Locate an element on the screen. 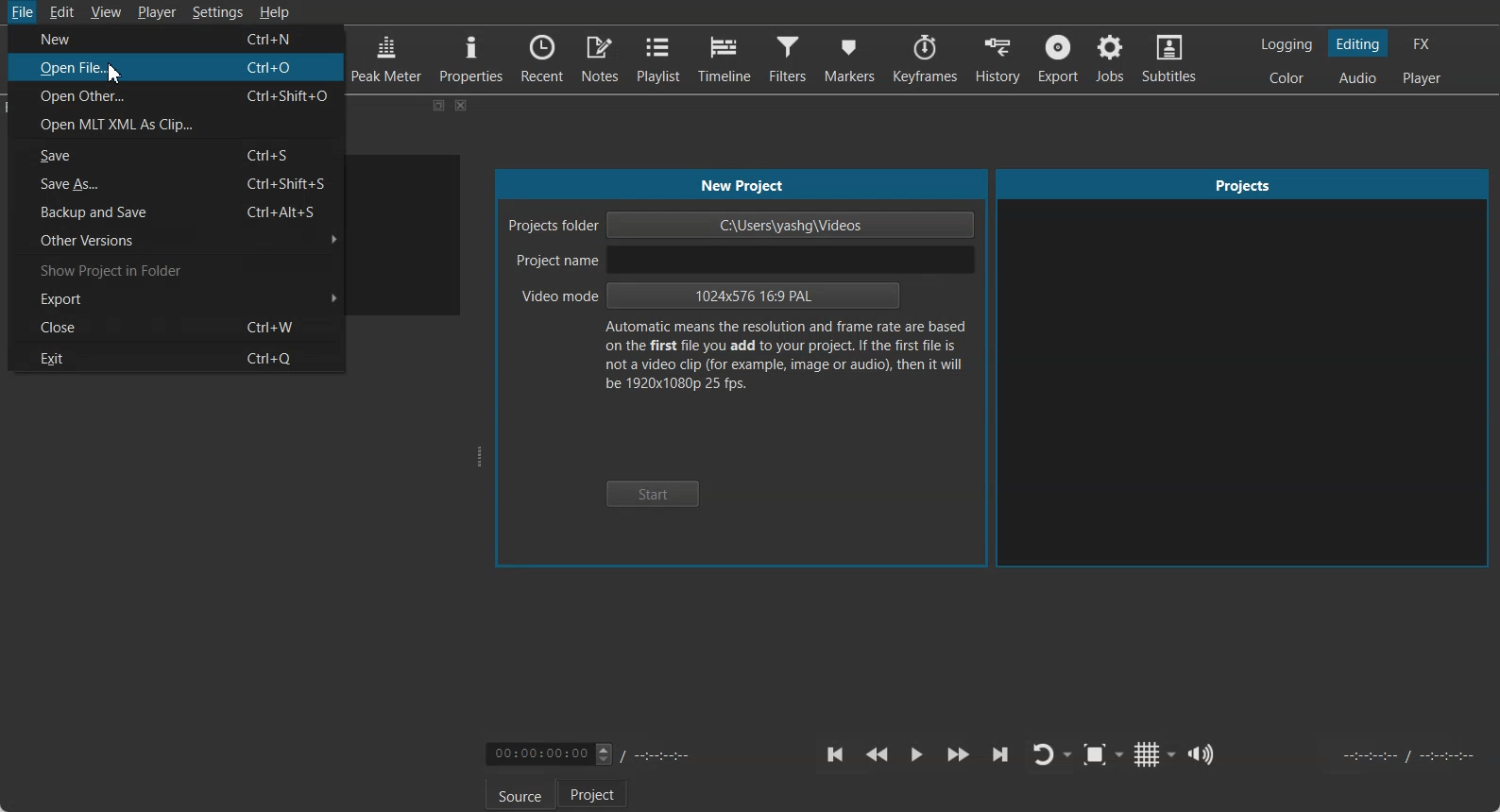 Image resolution: width=1500 pixels, height=812 pixels. Open MLT XML As Clip is located at coordinates (177, 124).